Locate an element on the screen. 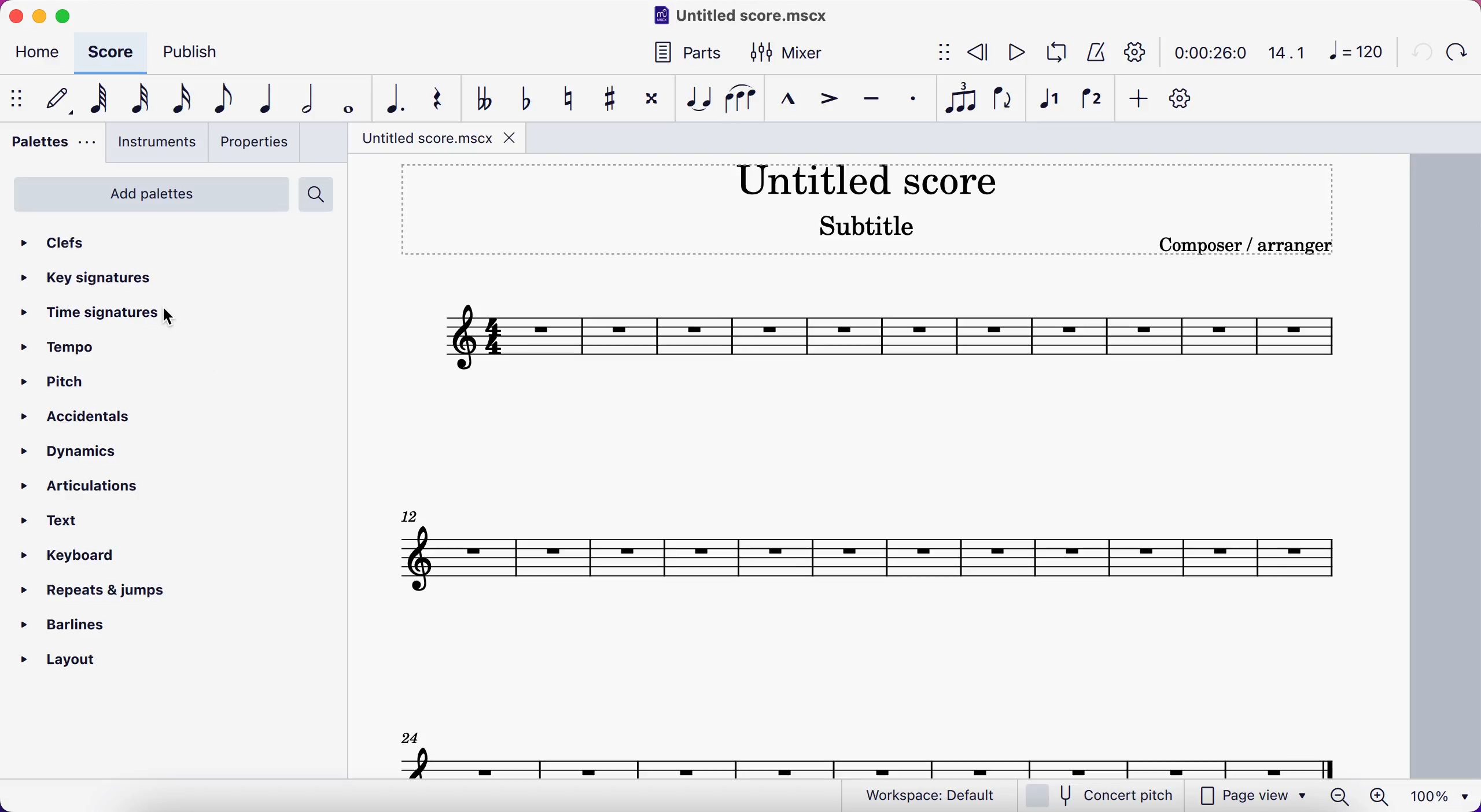 The width and height of the screenshot is (1481, 812). keyboard is located at coordinates (78, 556).